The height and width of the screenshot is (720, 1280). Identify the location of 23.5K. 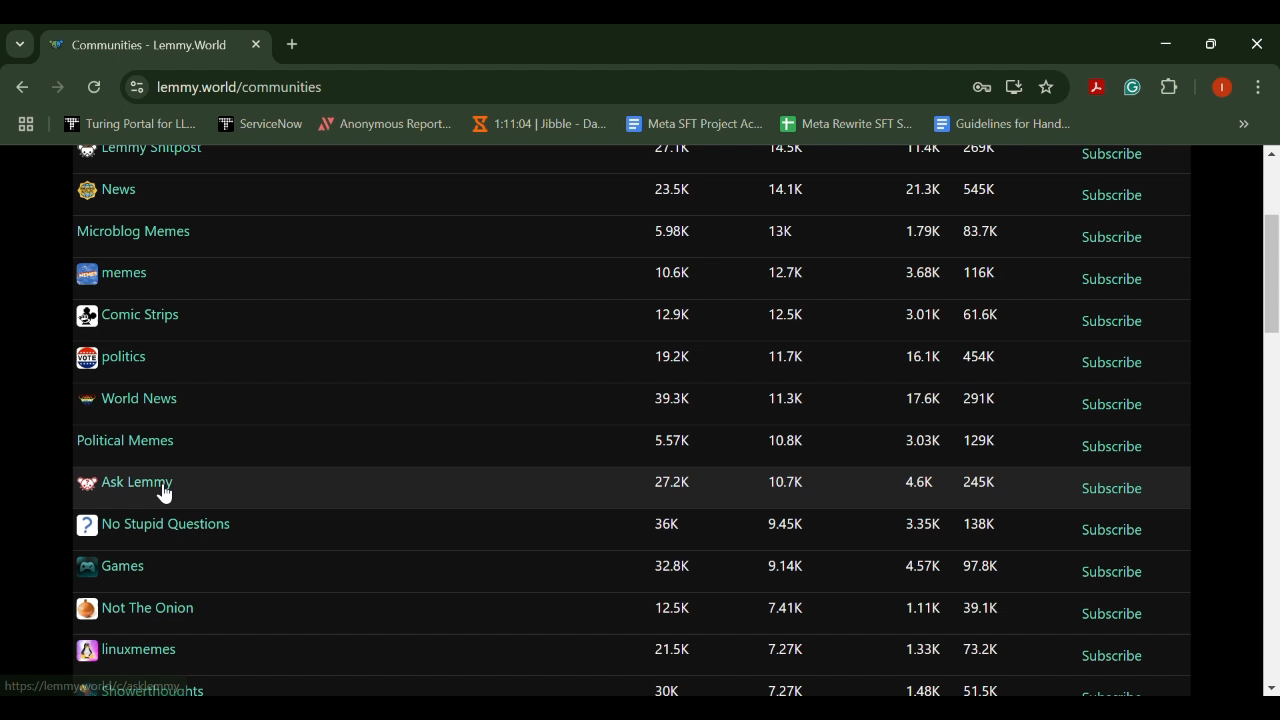
(674, 190).